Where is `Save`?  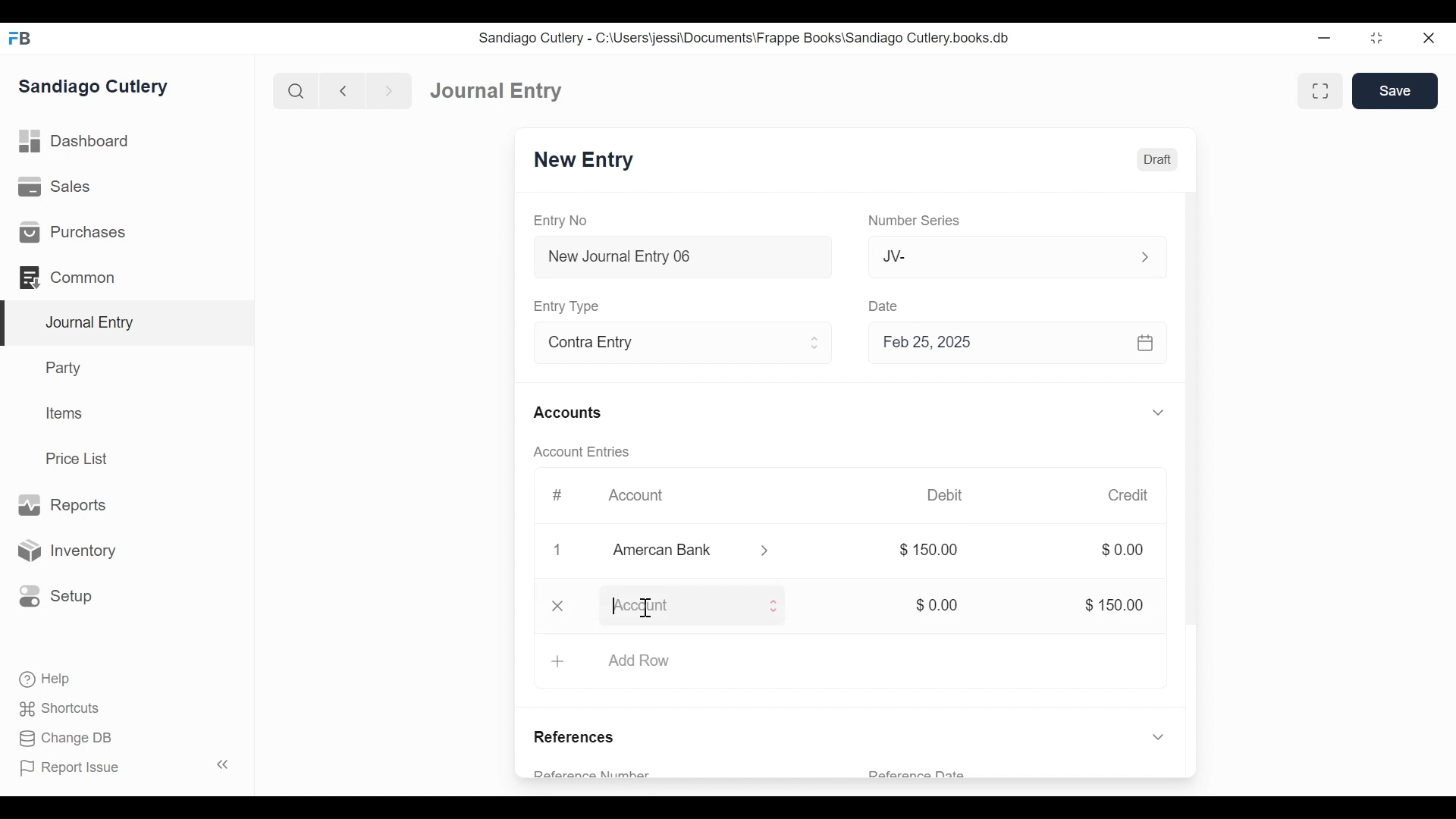 Save is located at coordinates (1395, 90).